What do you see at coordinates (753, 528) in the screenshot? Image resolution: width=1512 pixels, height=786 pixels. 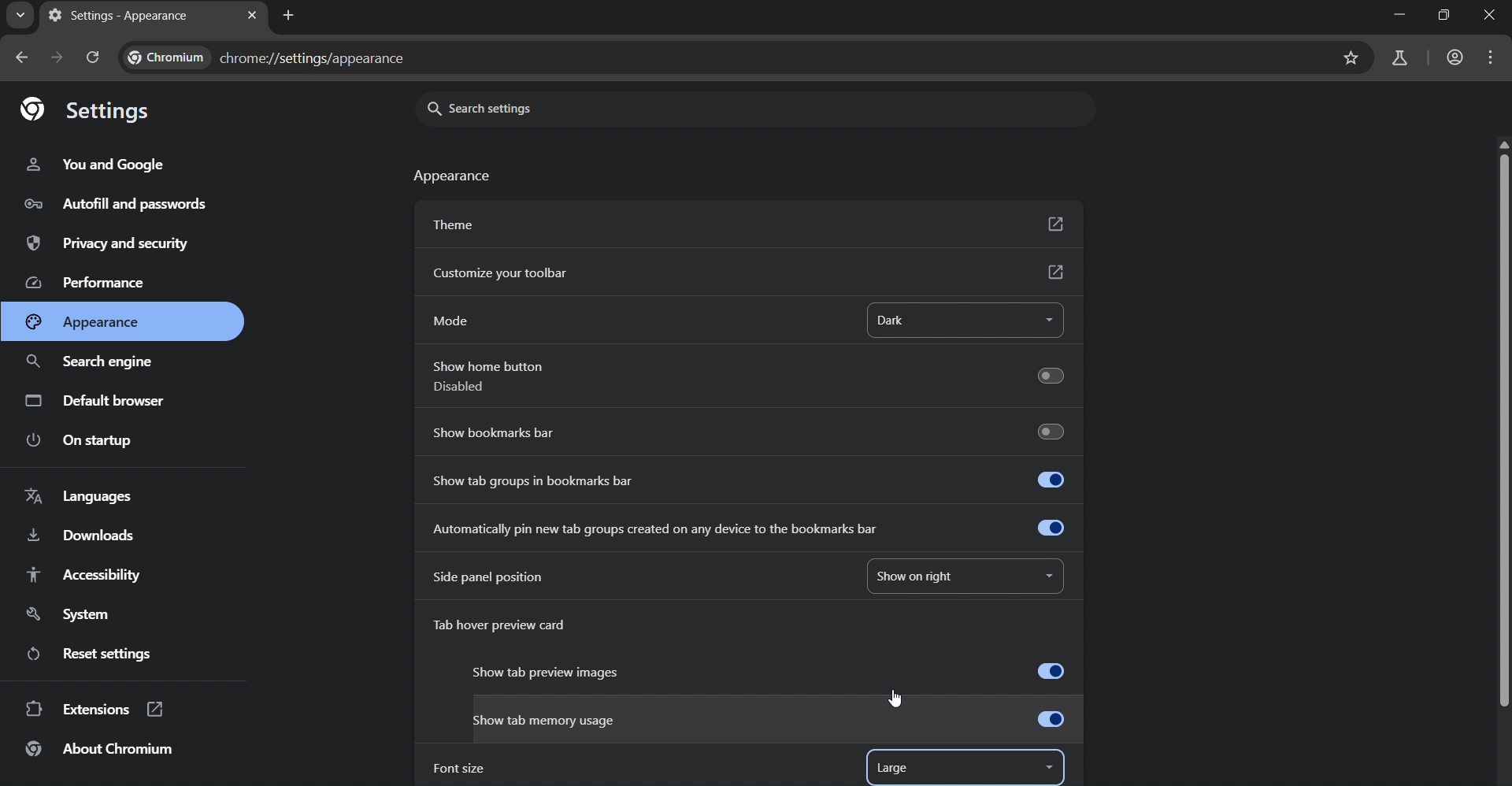 I see `automatically pin new tab created on any device to the bookmarks bar` at bounding box center [753, 528].